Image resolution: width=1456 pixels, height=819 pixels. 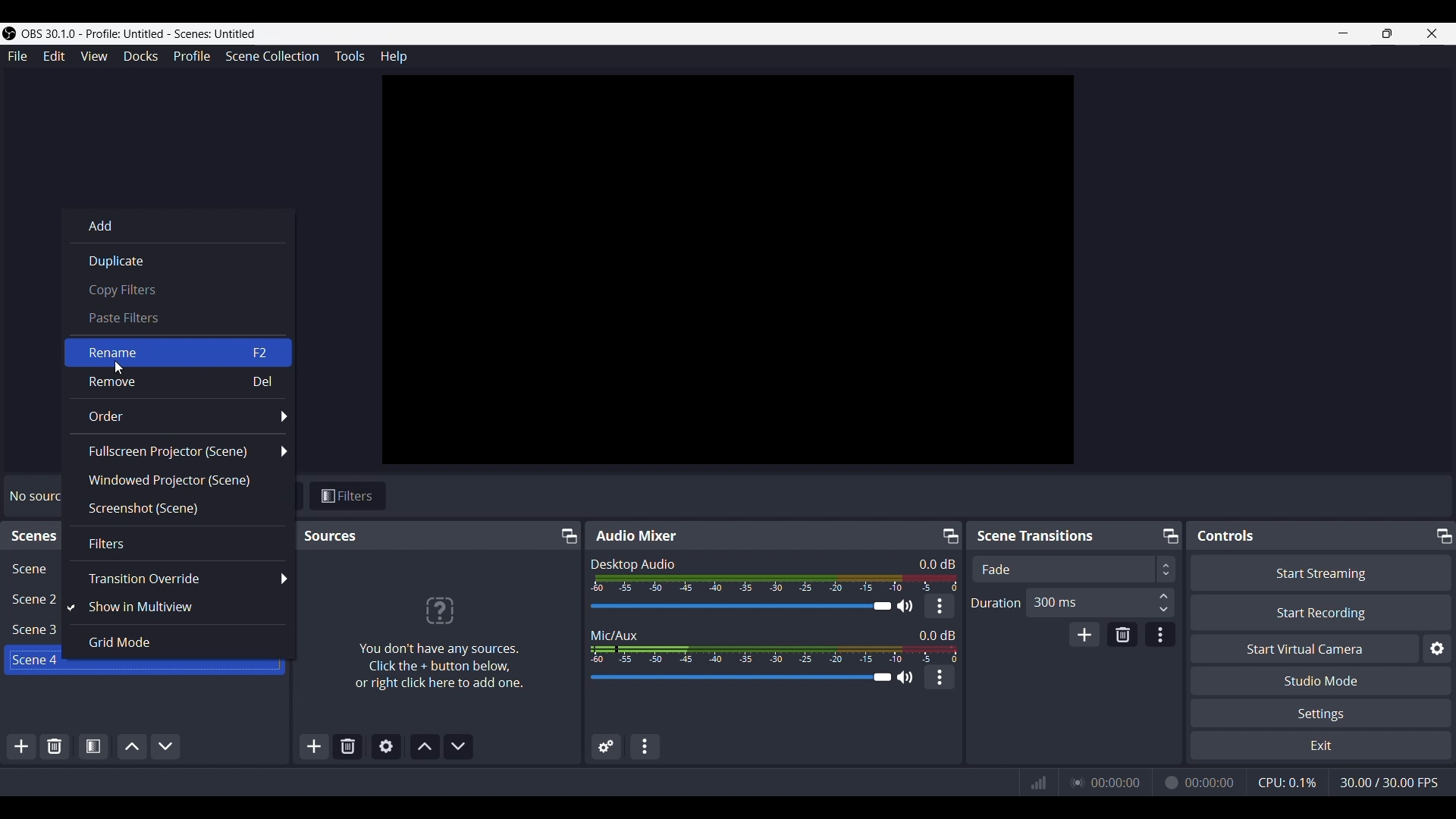 What do you see at coordinates (392, 58) in the screenshot?
I see `Help` at bounding box center [392, 58].